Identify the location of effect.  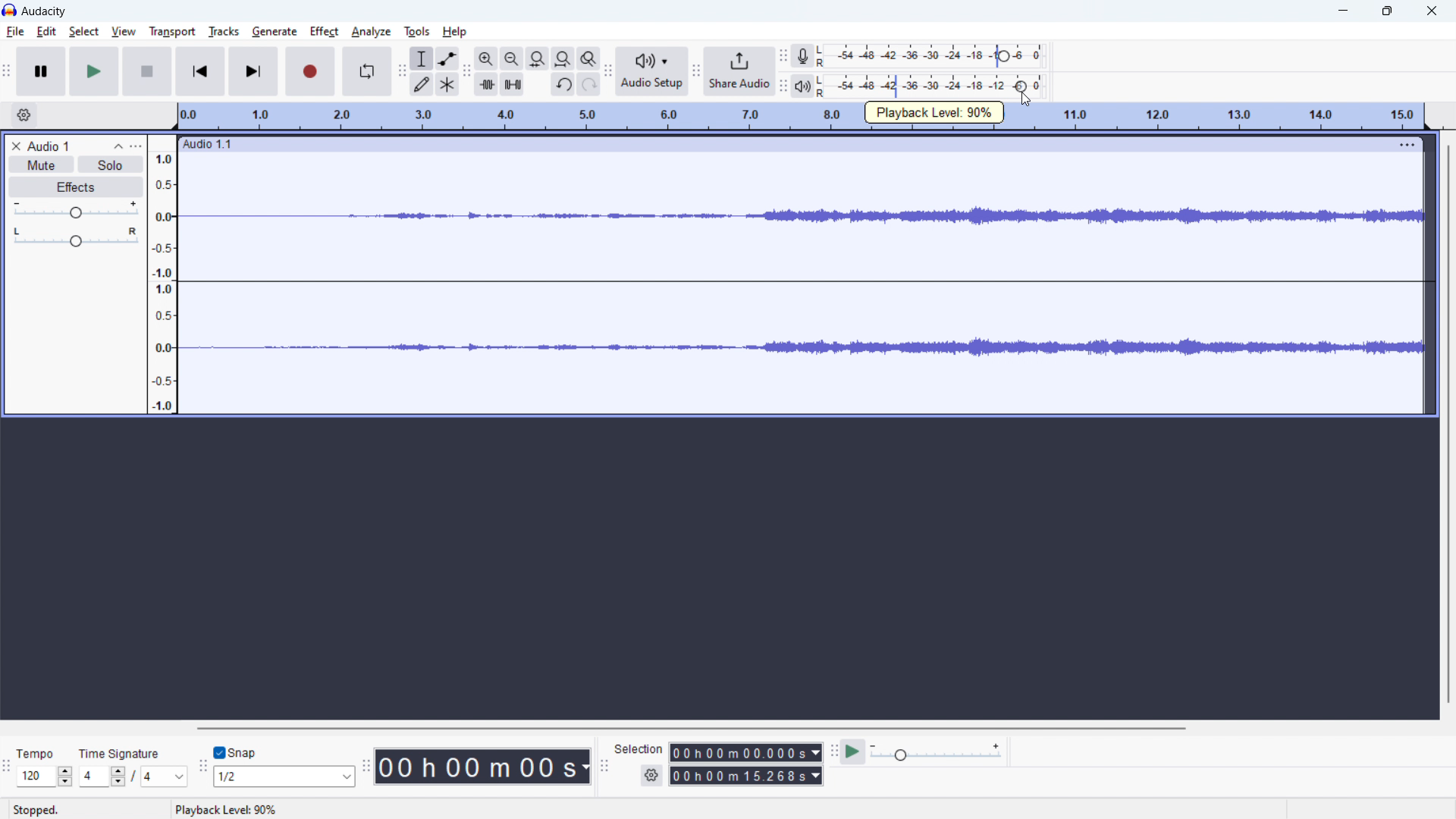
(325, 32).